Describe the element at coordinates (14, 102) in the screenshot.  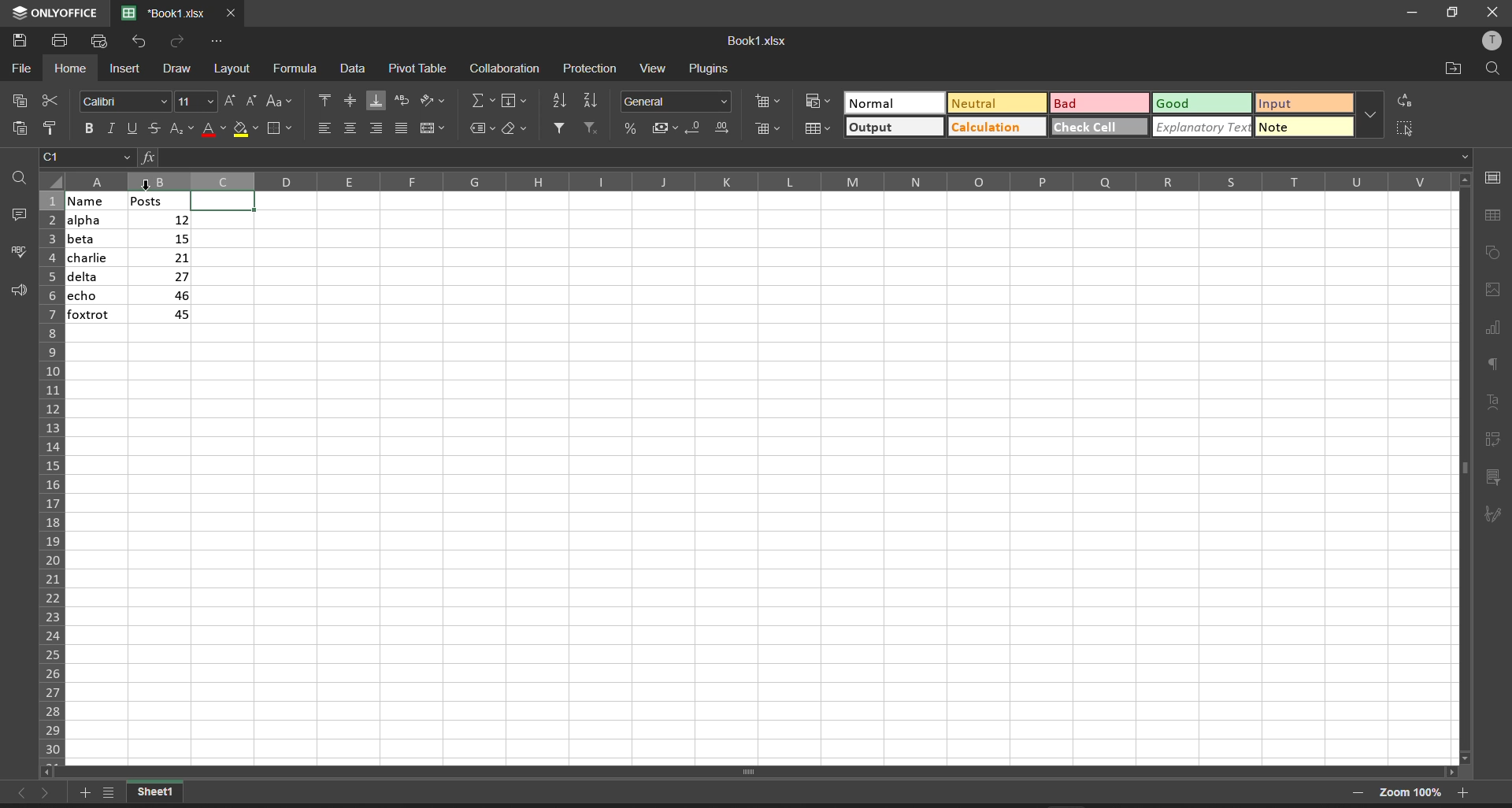
I see `copy` at that location.